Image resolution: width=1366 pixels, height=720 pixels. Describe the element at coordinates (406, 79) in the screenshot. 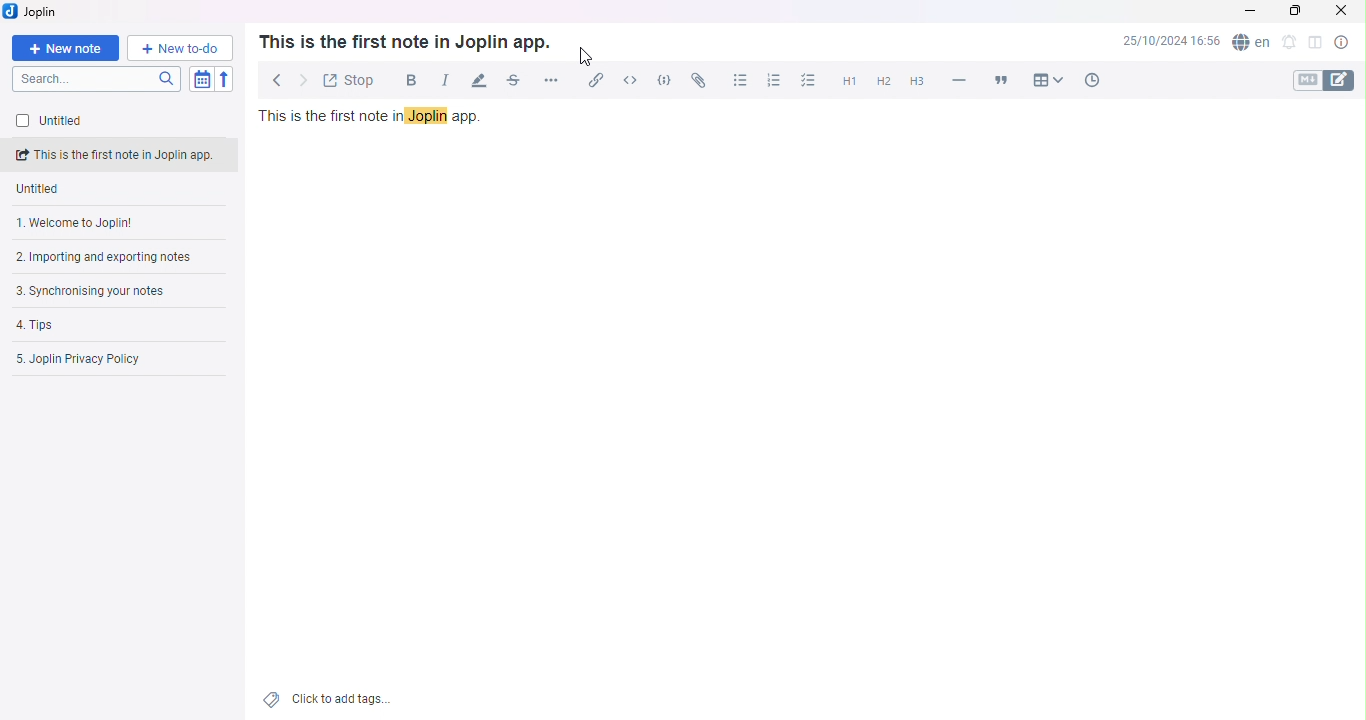

I see `Bold` at that location.